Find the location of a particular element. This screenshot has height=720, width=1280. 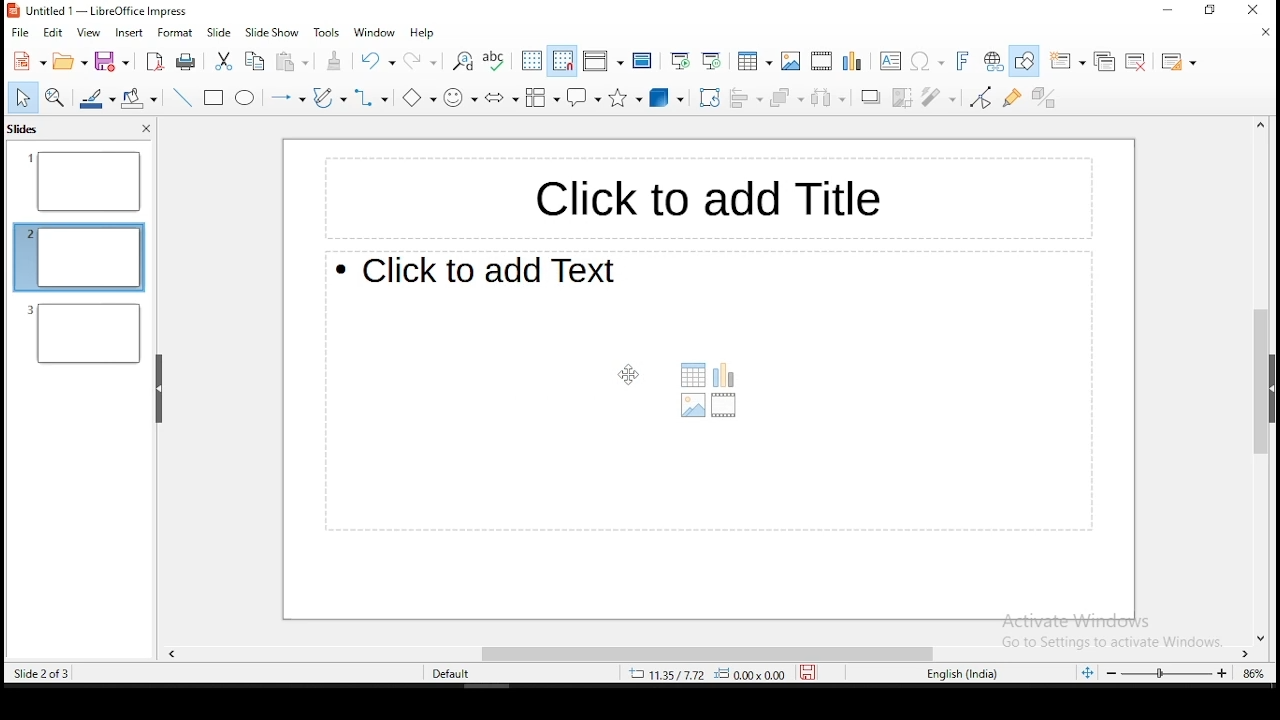

scroll bar is located at coordinates (711, 651).